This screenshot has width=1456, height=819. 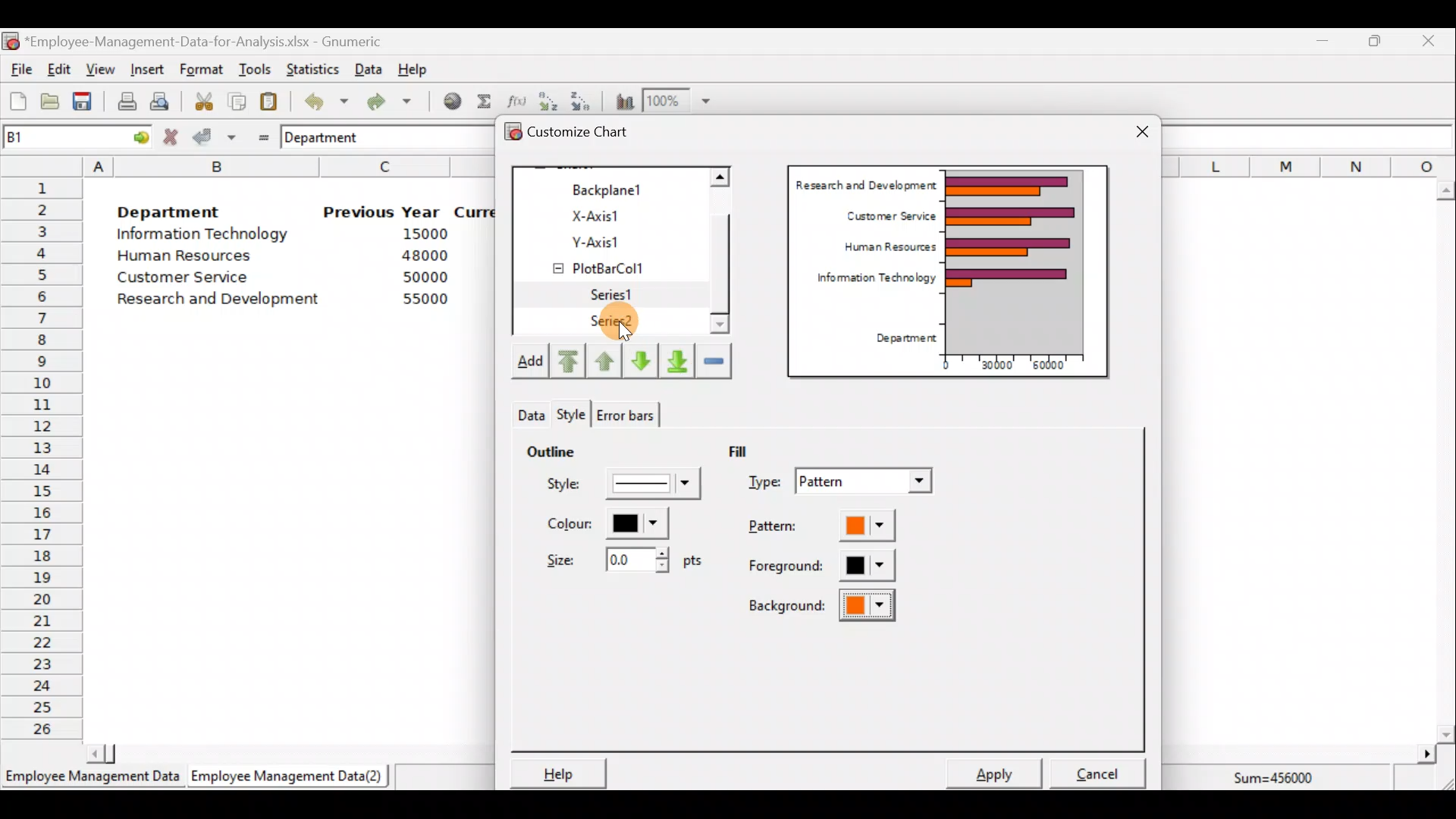 I want to click on Pattern, so click(x=836, y=527).